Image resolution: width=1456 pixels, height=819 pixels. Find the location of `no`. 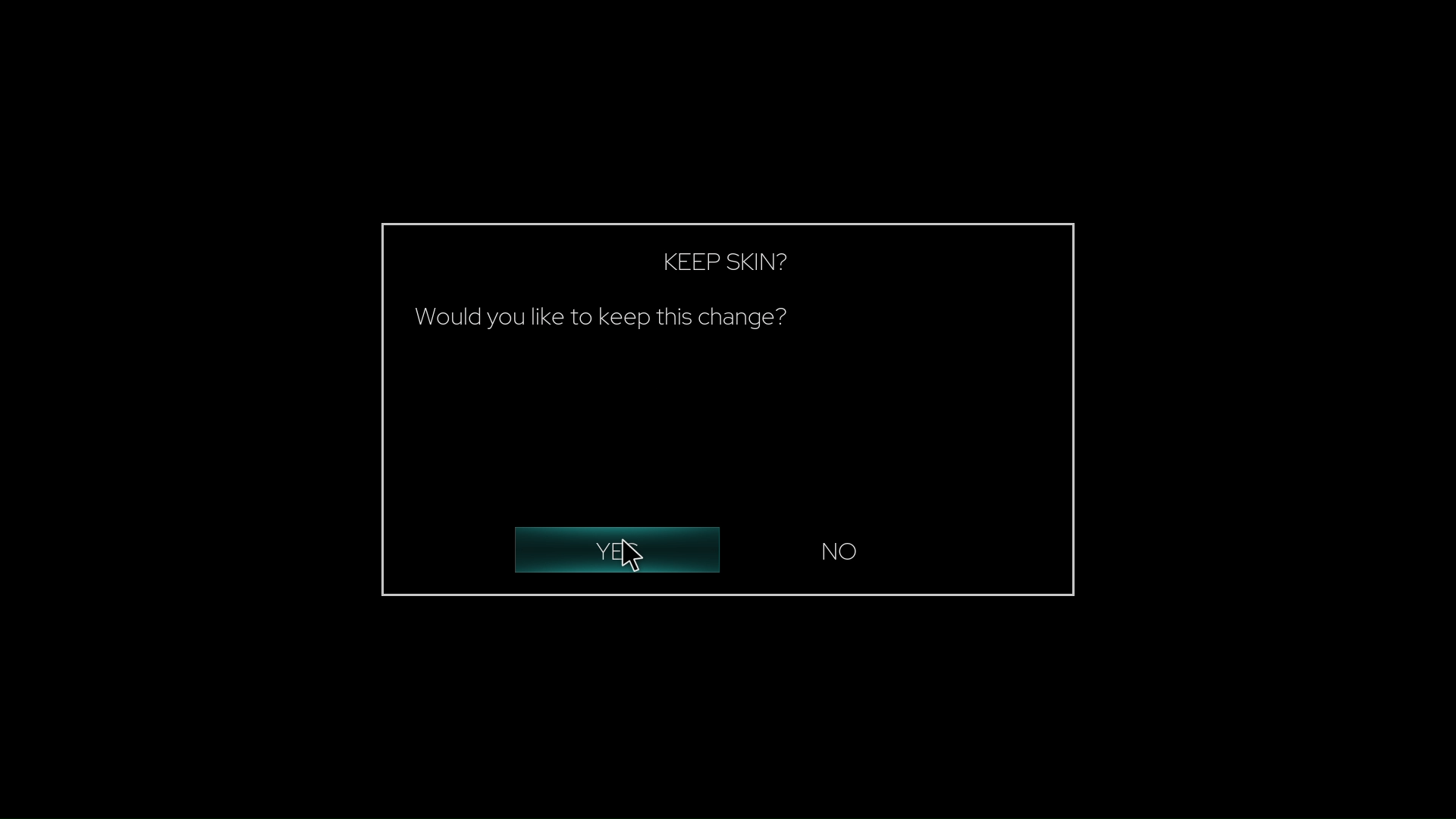

no is located at coordinates (846, 549).